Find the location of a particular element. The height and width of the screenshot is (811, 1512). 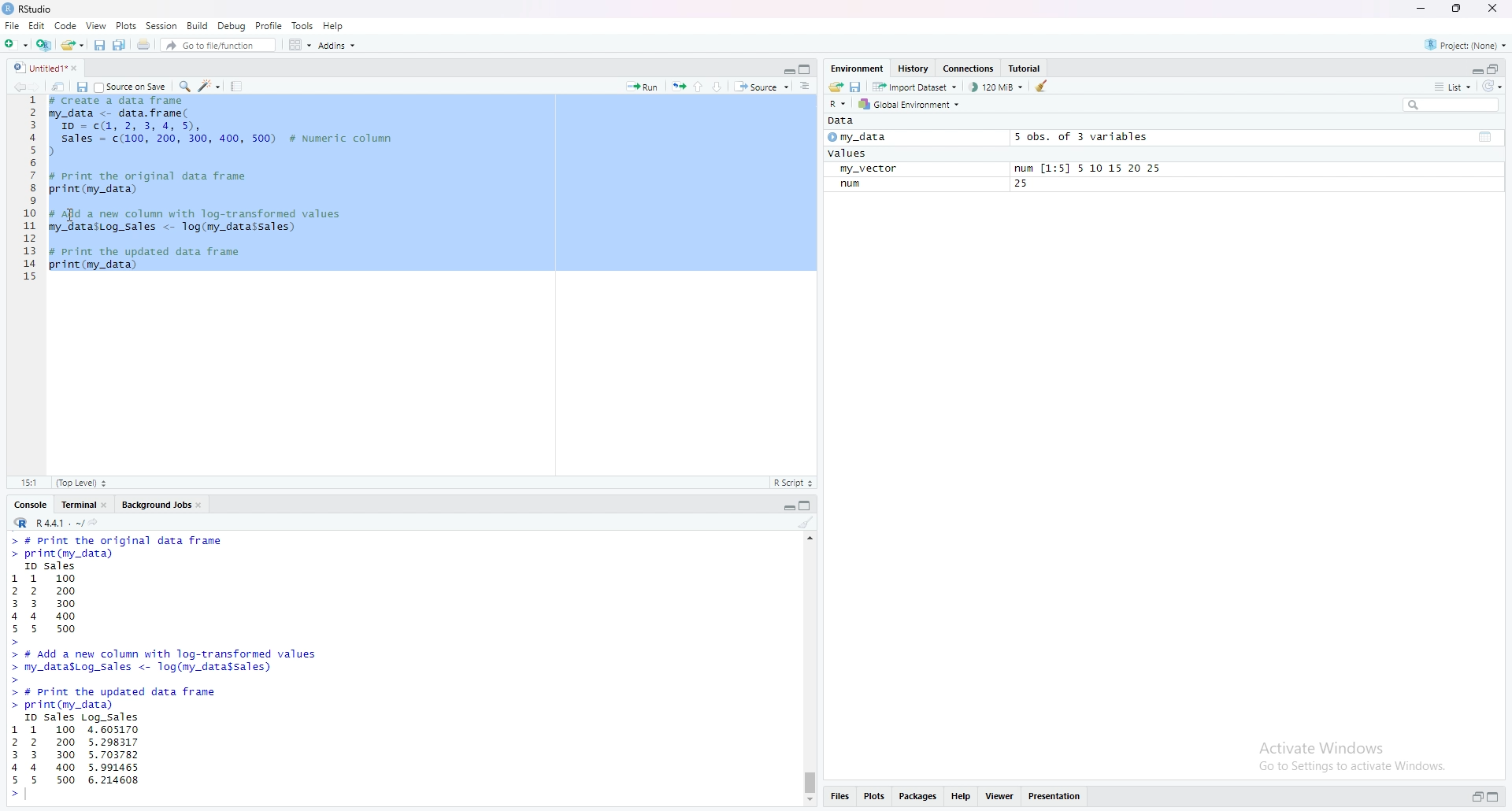

code to add new column is located at coordinates (203, 218).